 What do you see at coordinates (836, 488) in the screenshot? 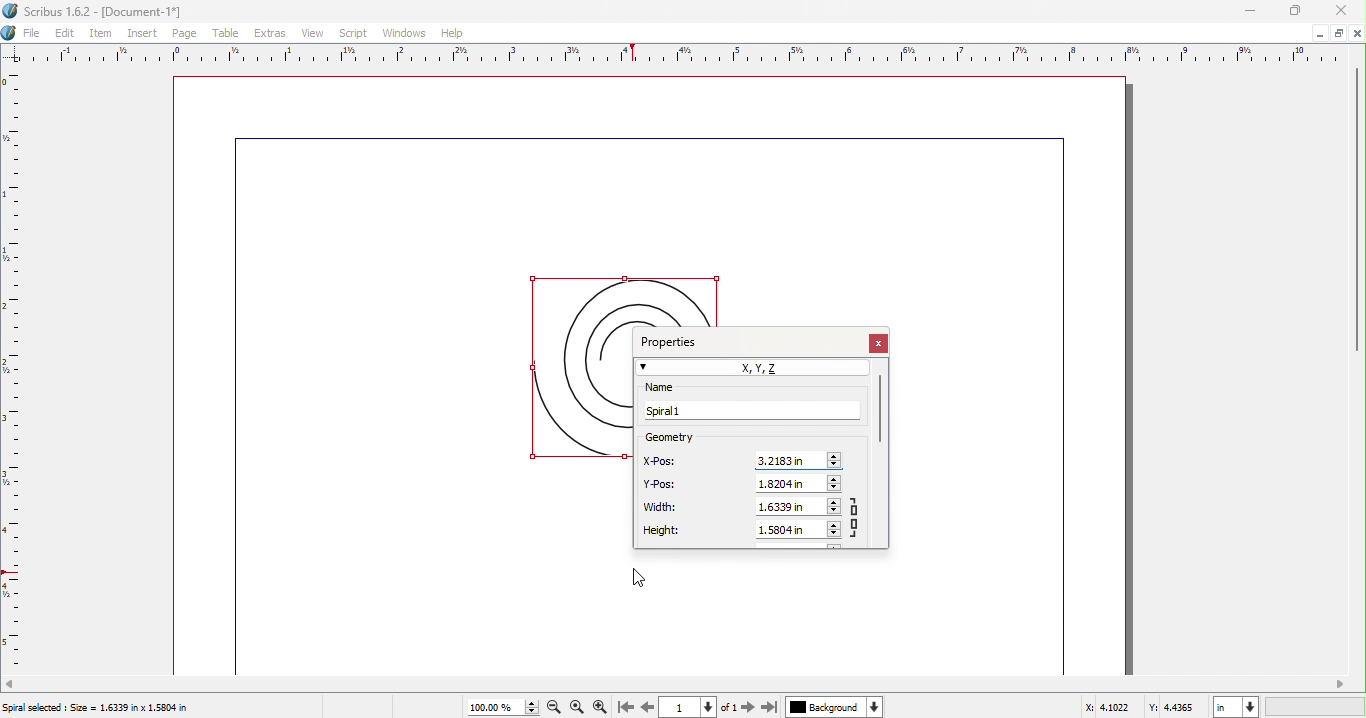
I see `decrease Y-pos` at bounding box center [836, 488].